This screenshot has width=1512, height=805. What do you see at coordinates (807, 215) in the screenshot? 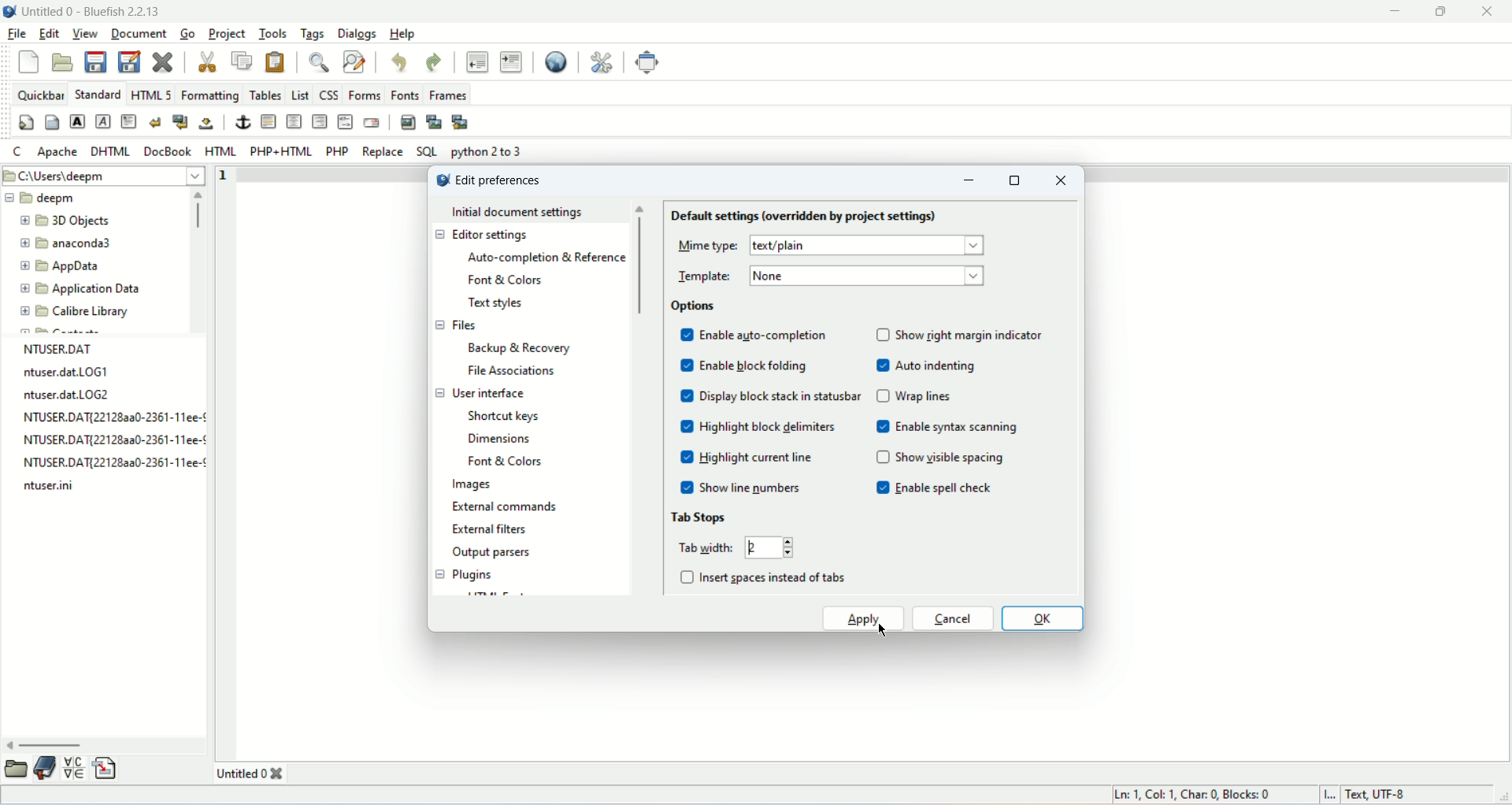
I see `default settings (overridden for project settings)` at bounding box center [807, 215].